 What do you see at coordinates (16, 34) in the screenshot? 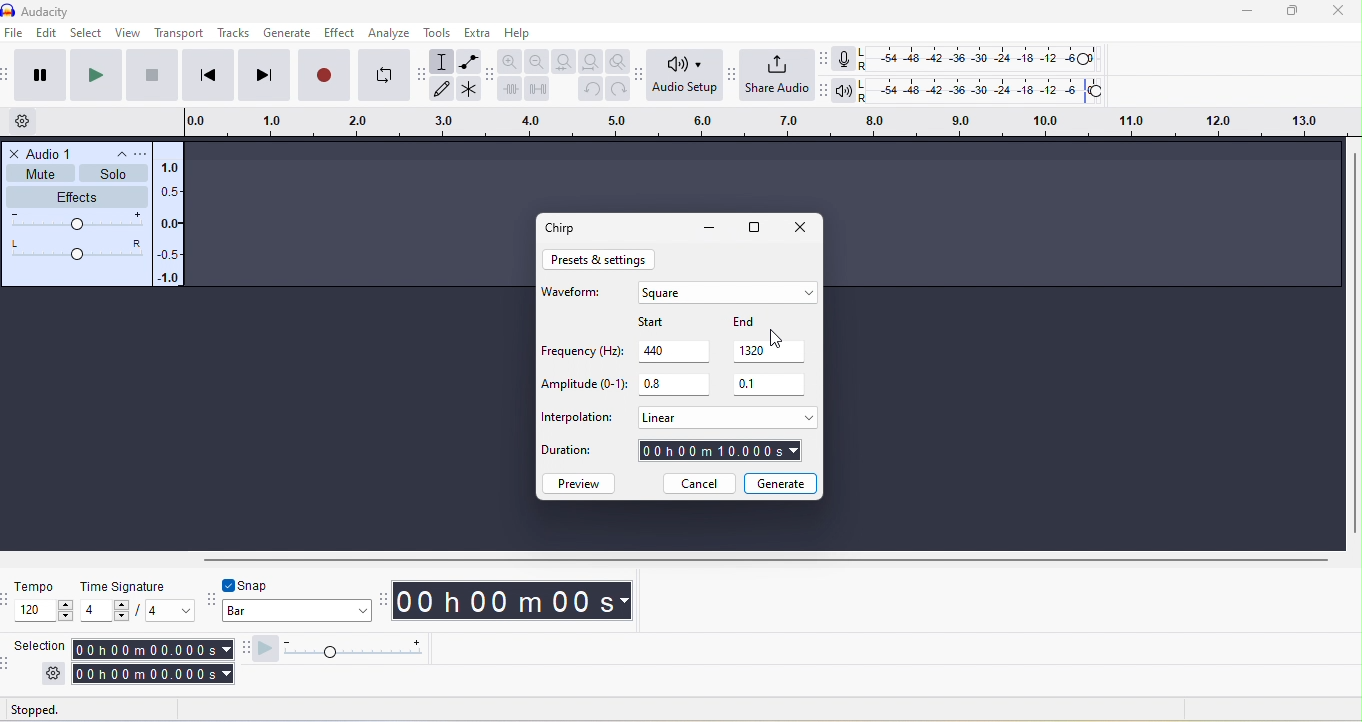
I see `file` at bounding box center [16, 34].